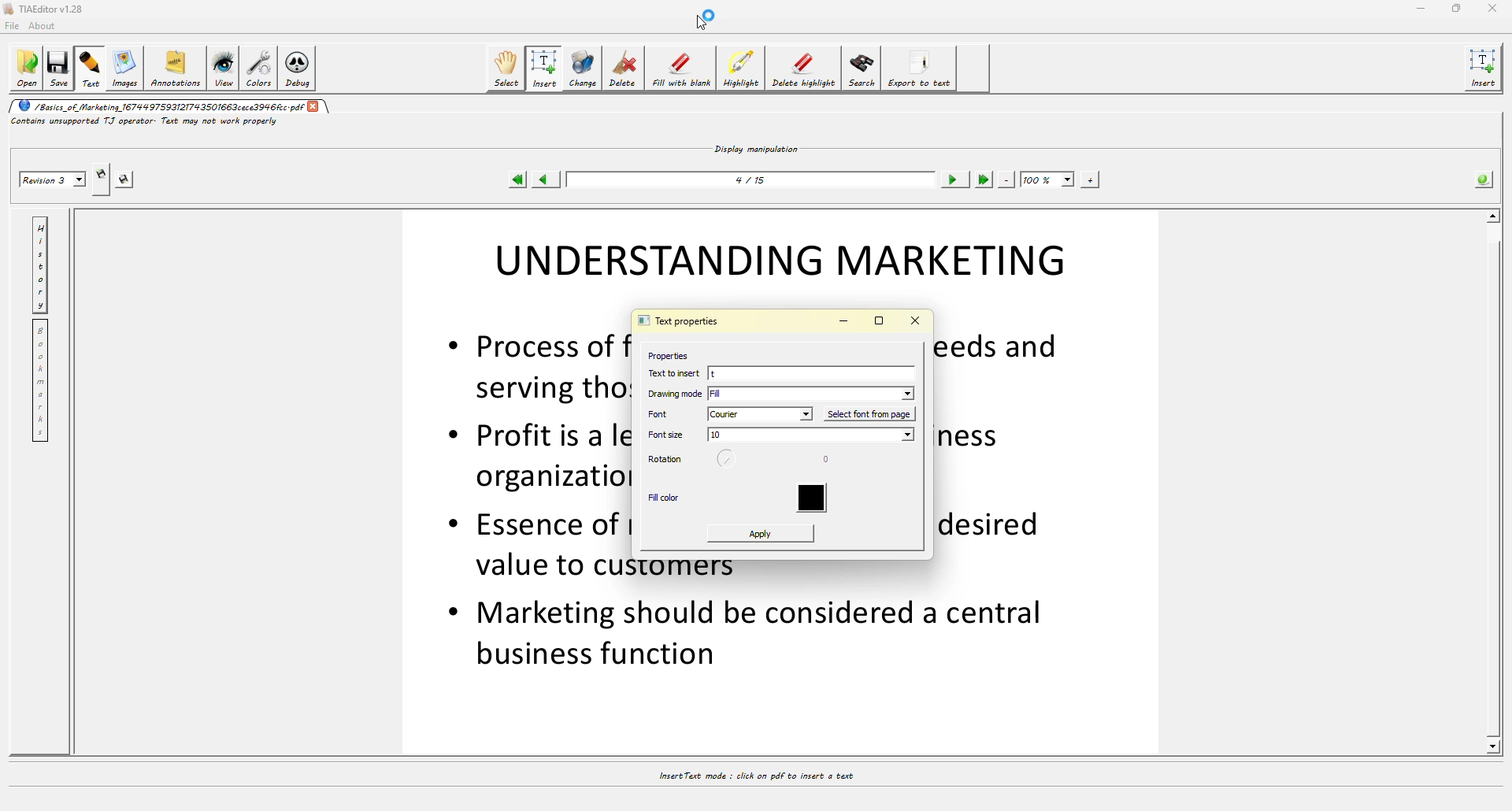 This screenshot has height=811, width=1512. I want to click on /Basics_of_Marketing_ 1674497593121743501663cece3946fcc.pdf, so click(161, 106).